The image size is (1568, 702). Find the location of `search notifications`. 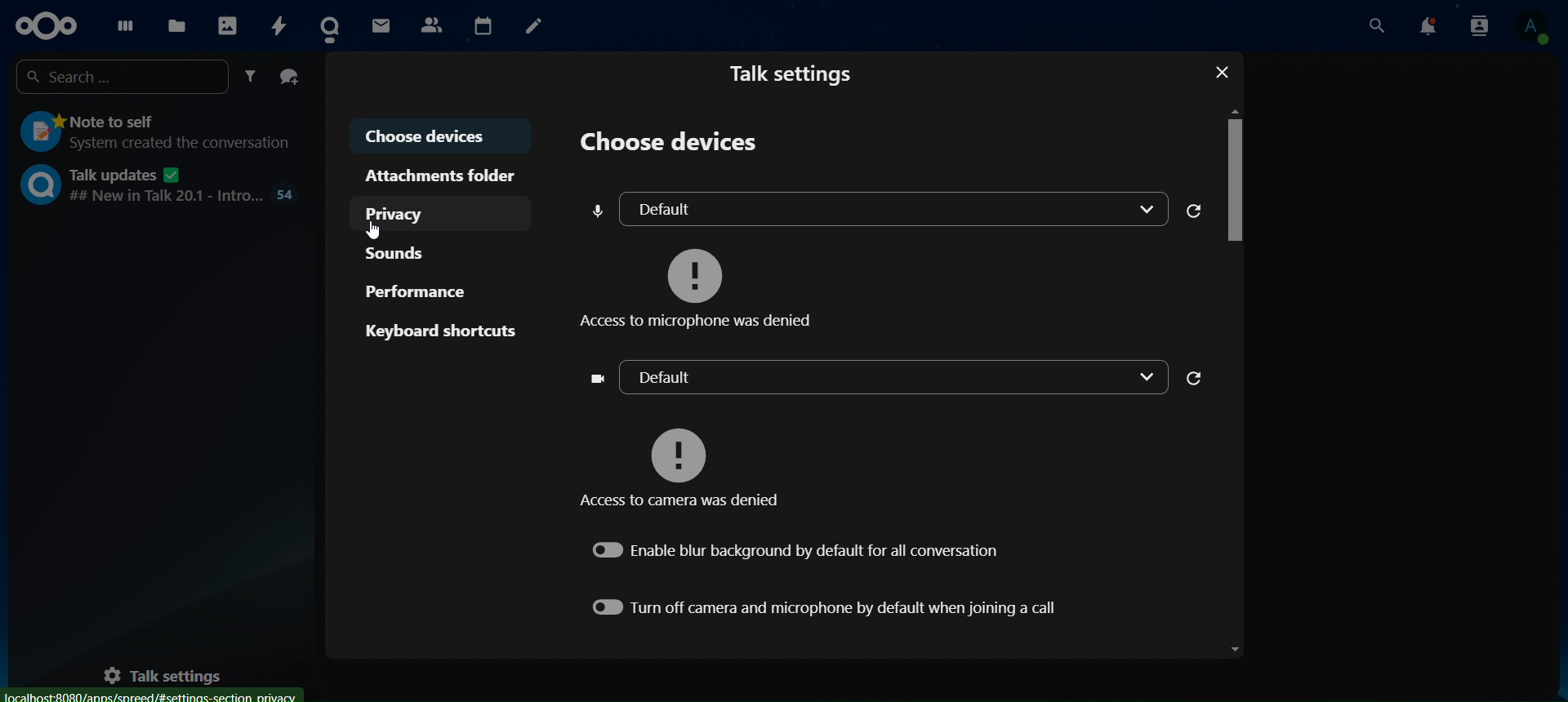

search notifications is located at coordinates (1479, 27).